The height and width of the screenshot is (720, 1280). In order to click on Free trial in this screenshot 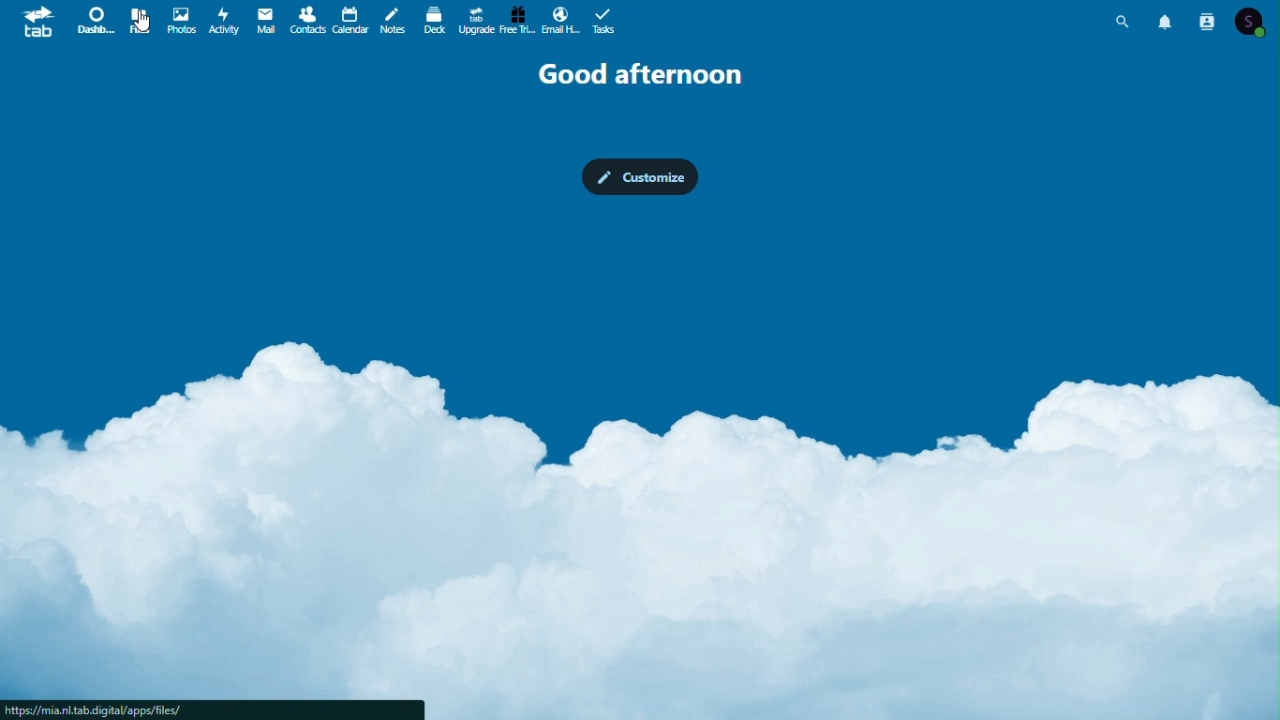, I will do `click(518, 22)`.